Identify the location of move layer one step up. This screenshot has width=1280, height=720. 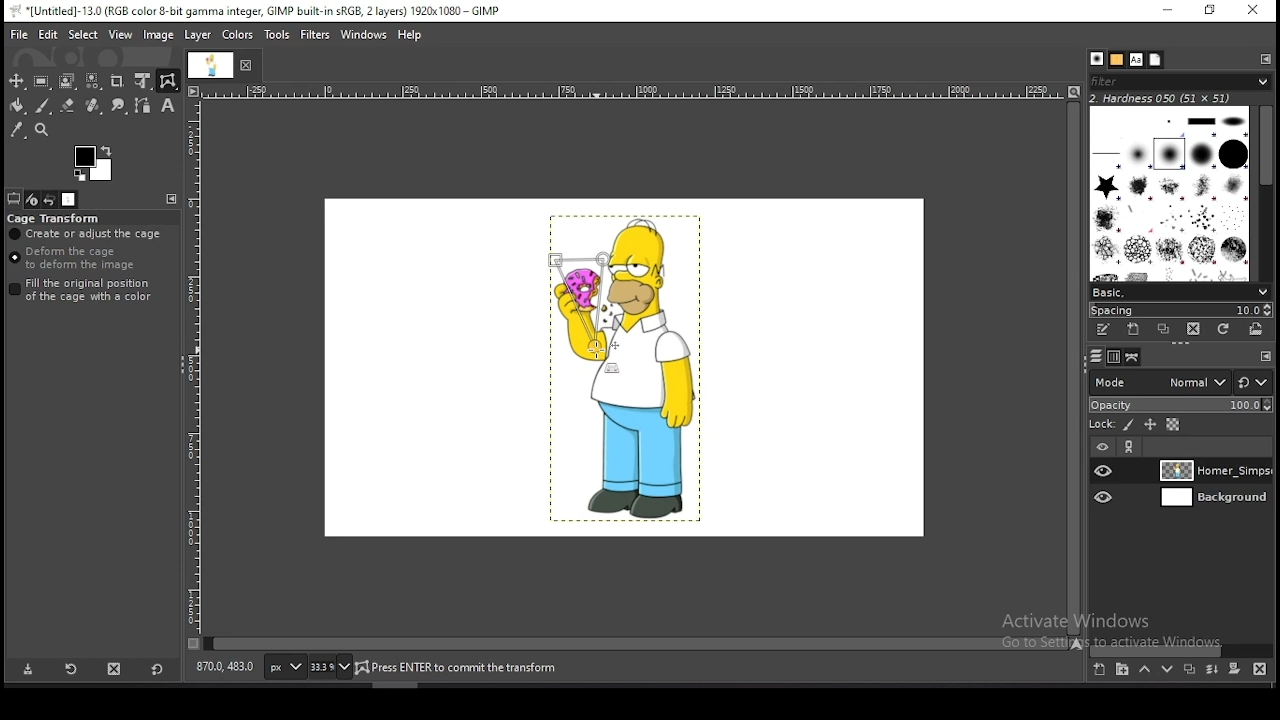
(1145, 672).